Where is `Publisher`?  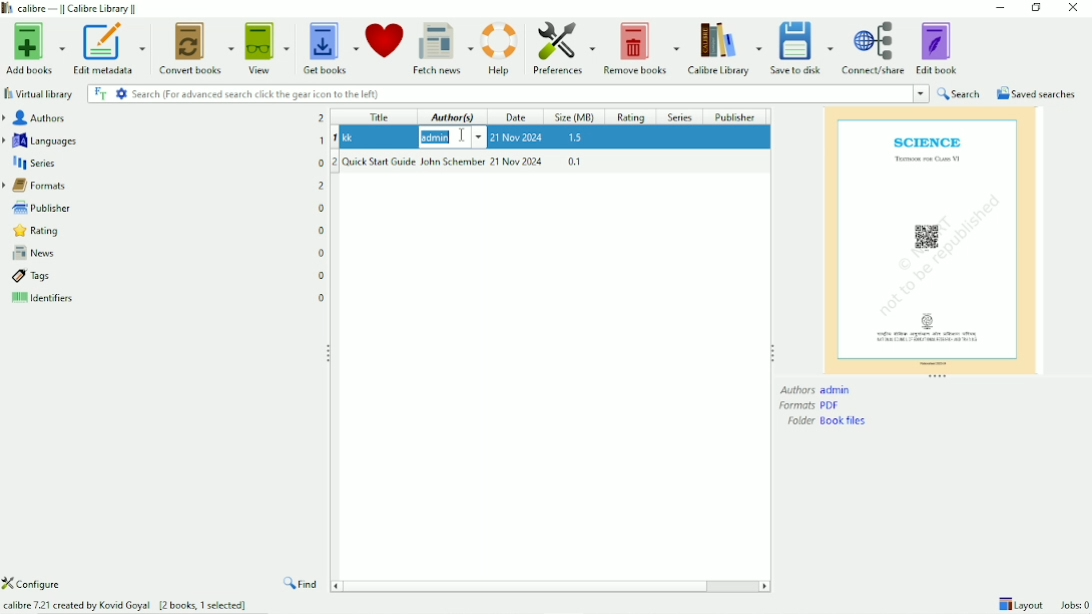 Publisher is located at coordinates (162, 208).